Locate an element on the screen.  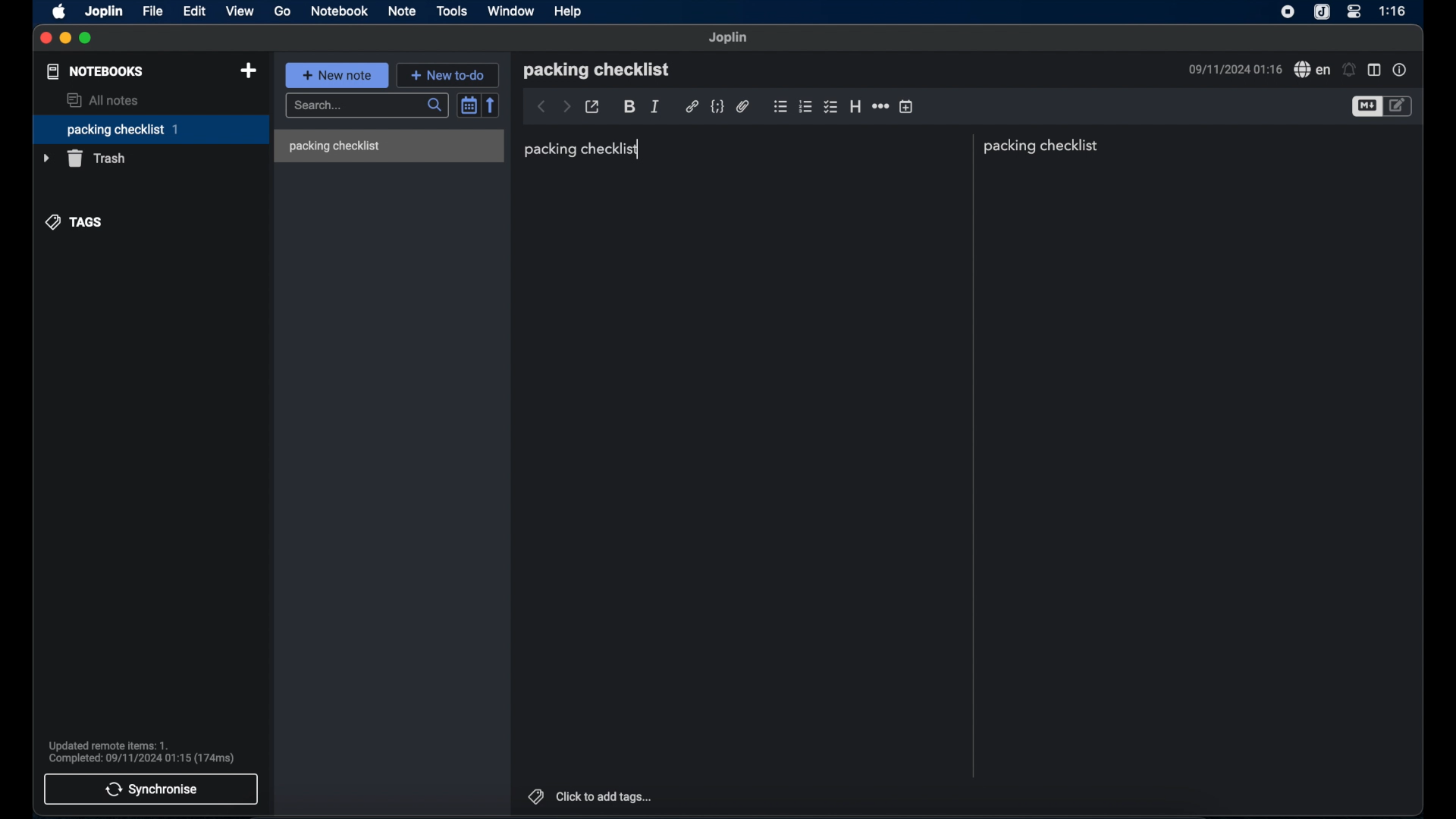
attach file is located at coordinates (742, 106).